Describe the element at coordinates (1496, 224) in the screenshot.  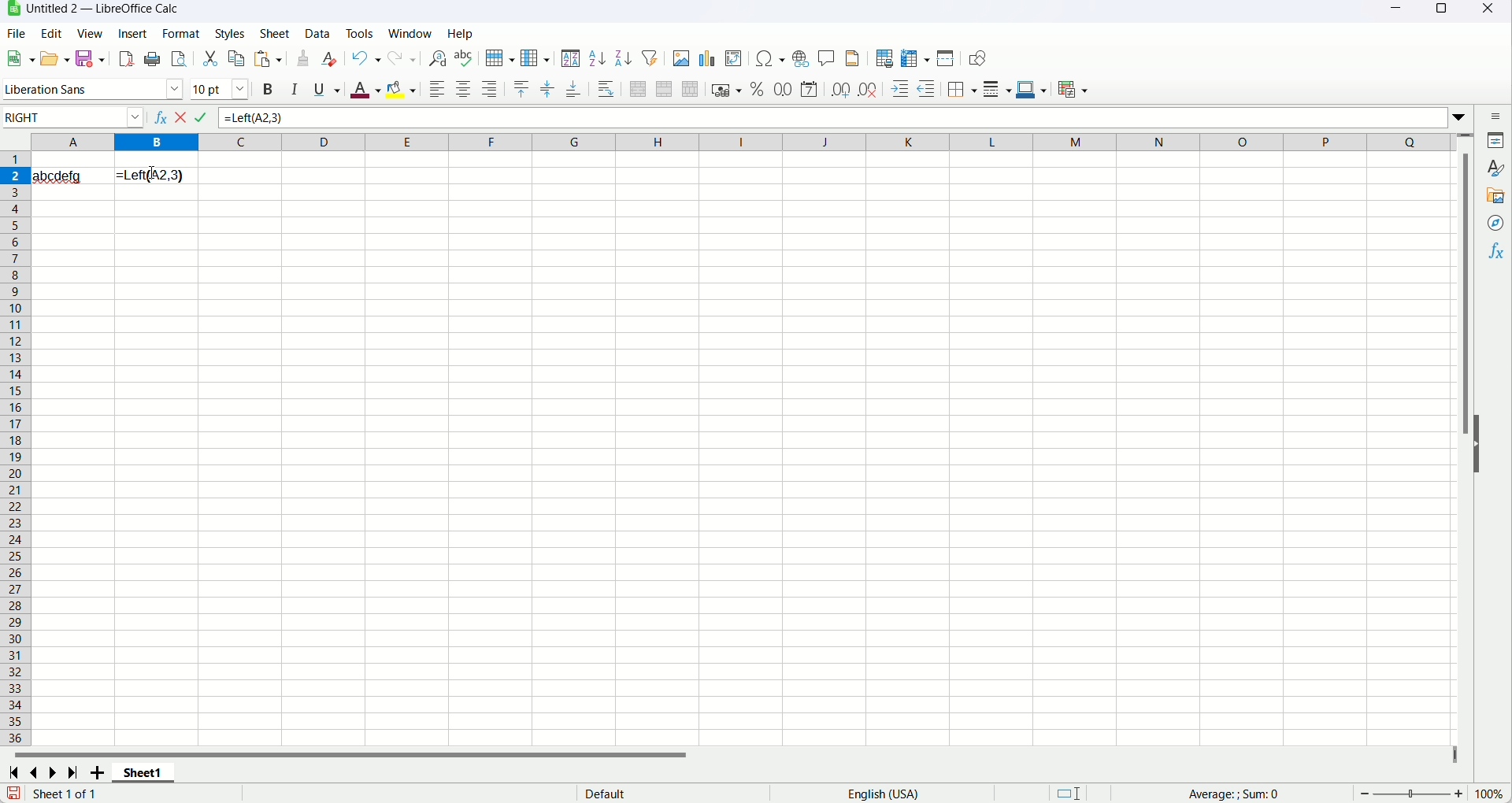
I see `navigator` at that location.